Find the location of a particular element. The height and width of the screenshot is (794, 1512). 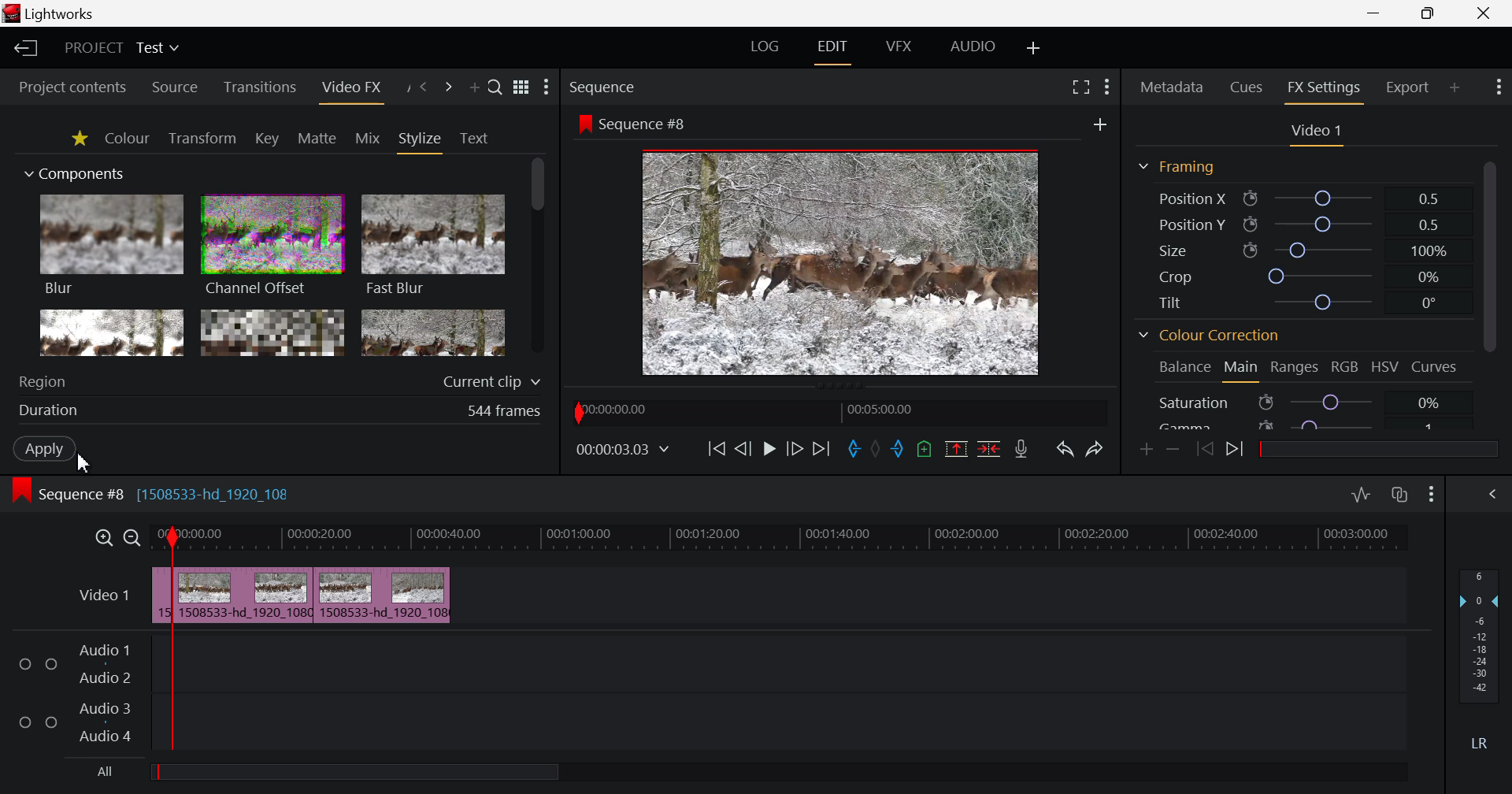

Decibel Level is located at coordinates (1480, 655).